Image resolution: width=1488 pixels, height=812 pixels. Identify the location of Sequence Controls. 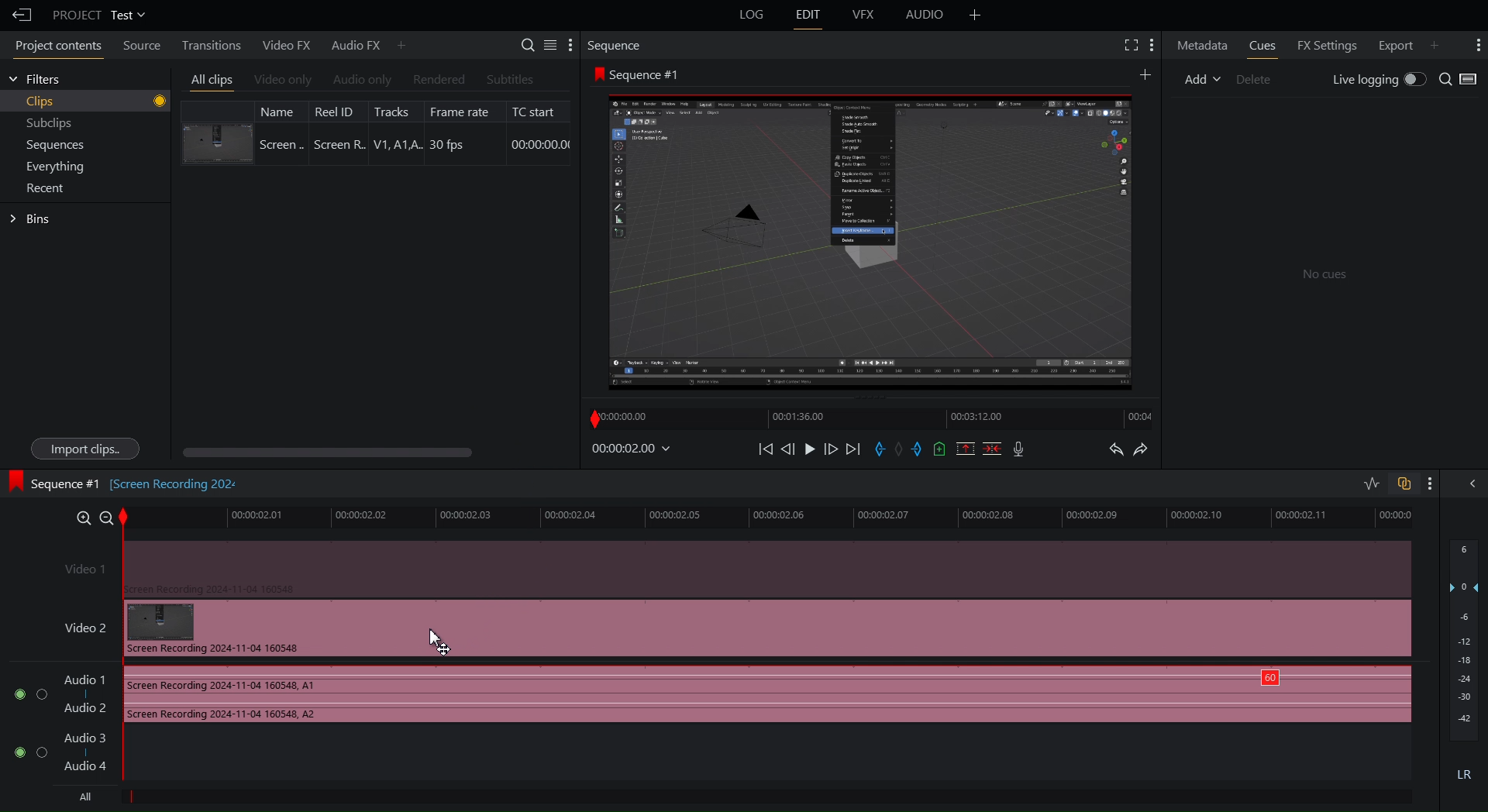
(895, 450).